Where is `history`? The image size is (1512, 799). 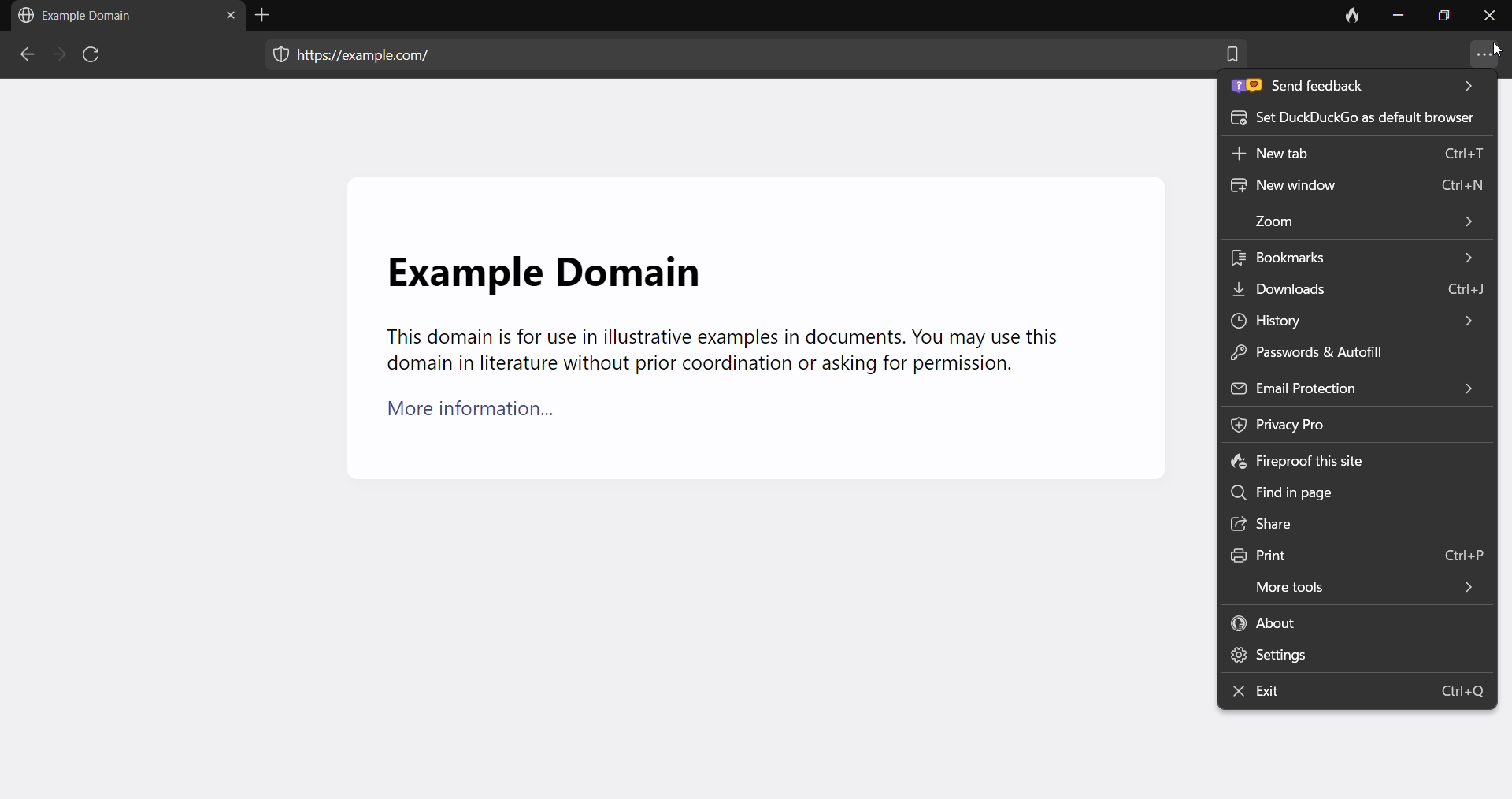
history is located at coordinates (1348, 318).